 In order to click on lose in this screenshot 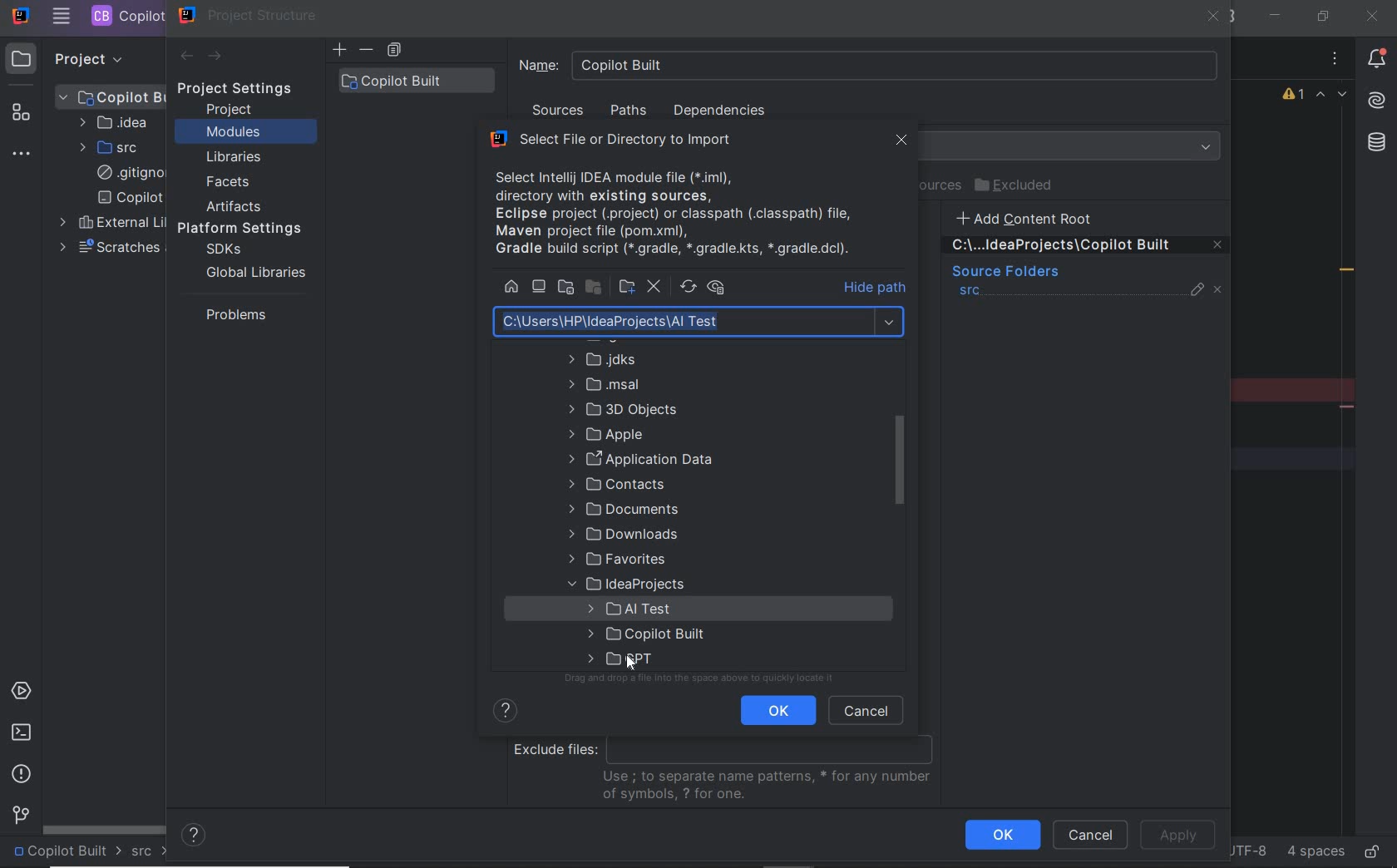, I will do `click(902, 142)`.